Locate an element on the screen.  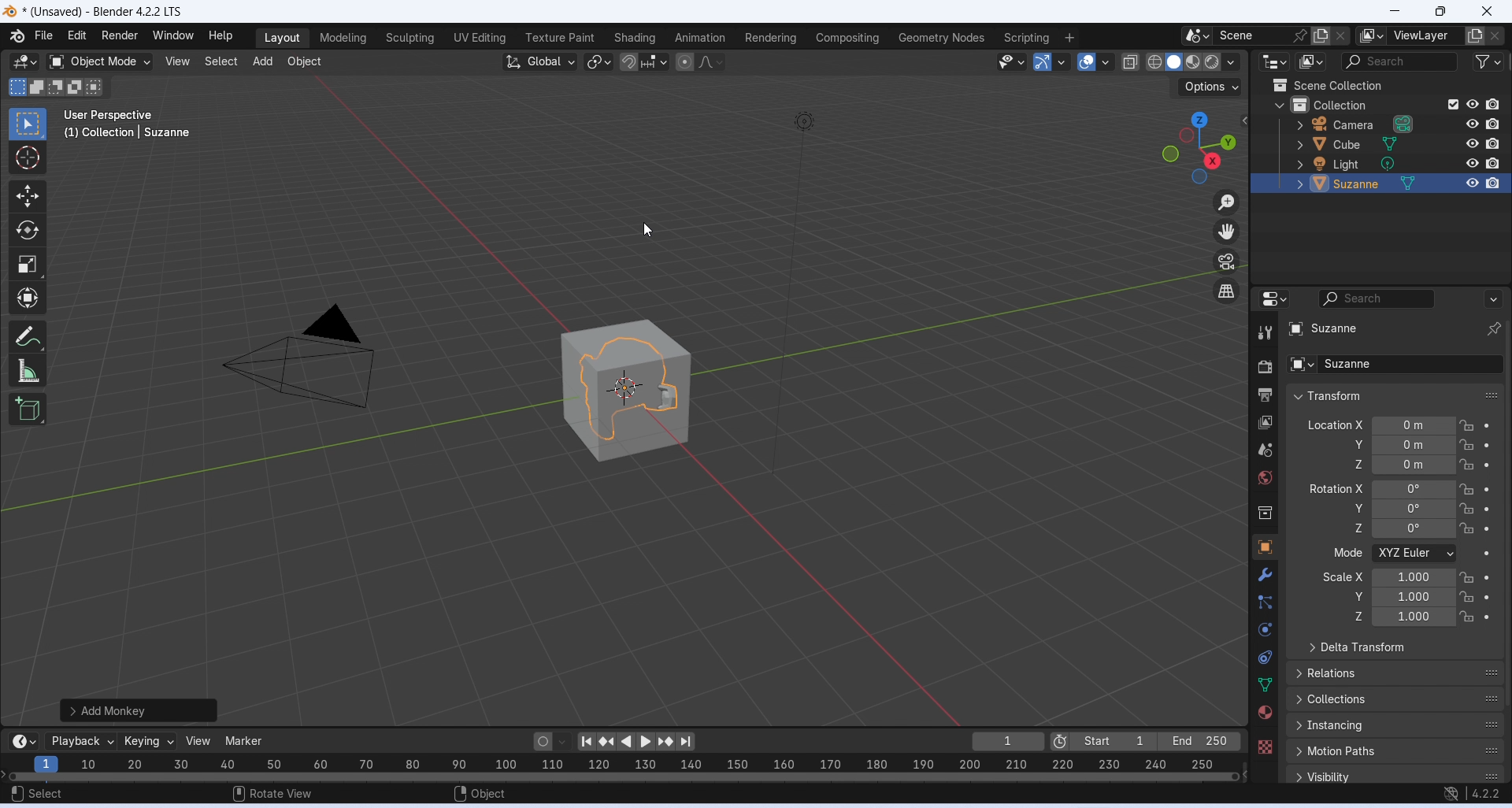
editor type is located at coordinates (24, 63).